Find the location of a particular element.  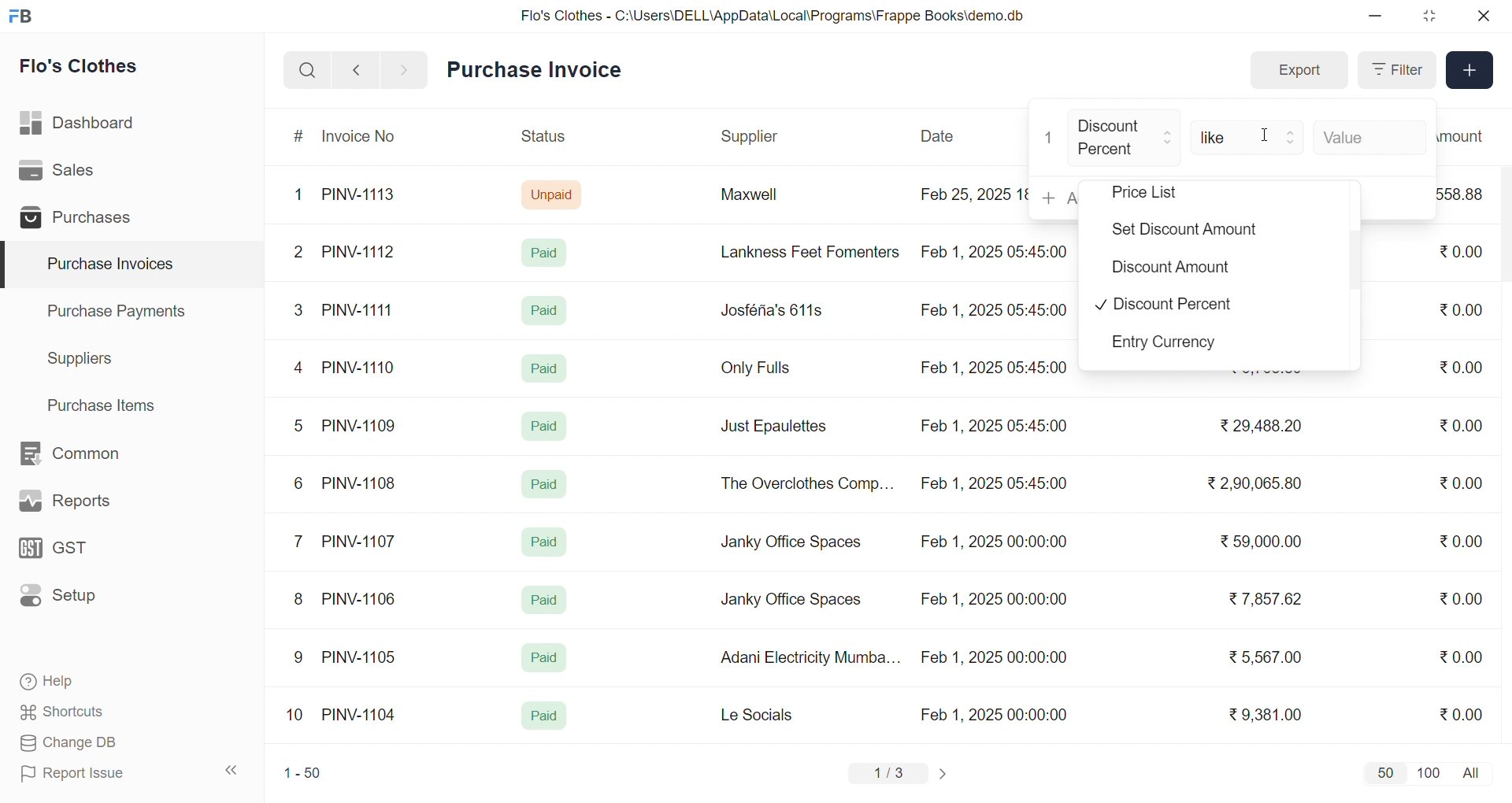

₹0.00 is located at coordinates (1466, 539).